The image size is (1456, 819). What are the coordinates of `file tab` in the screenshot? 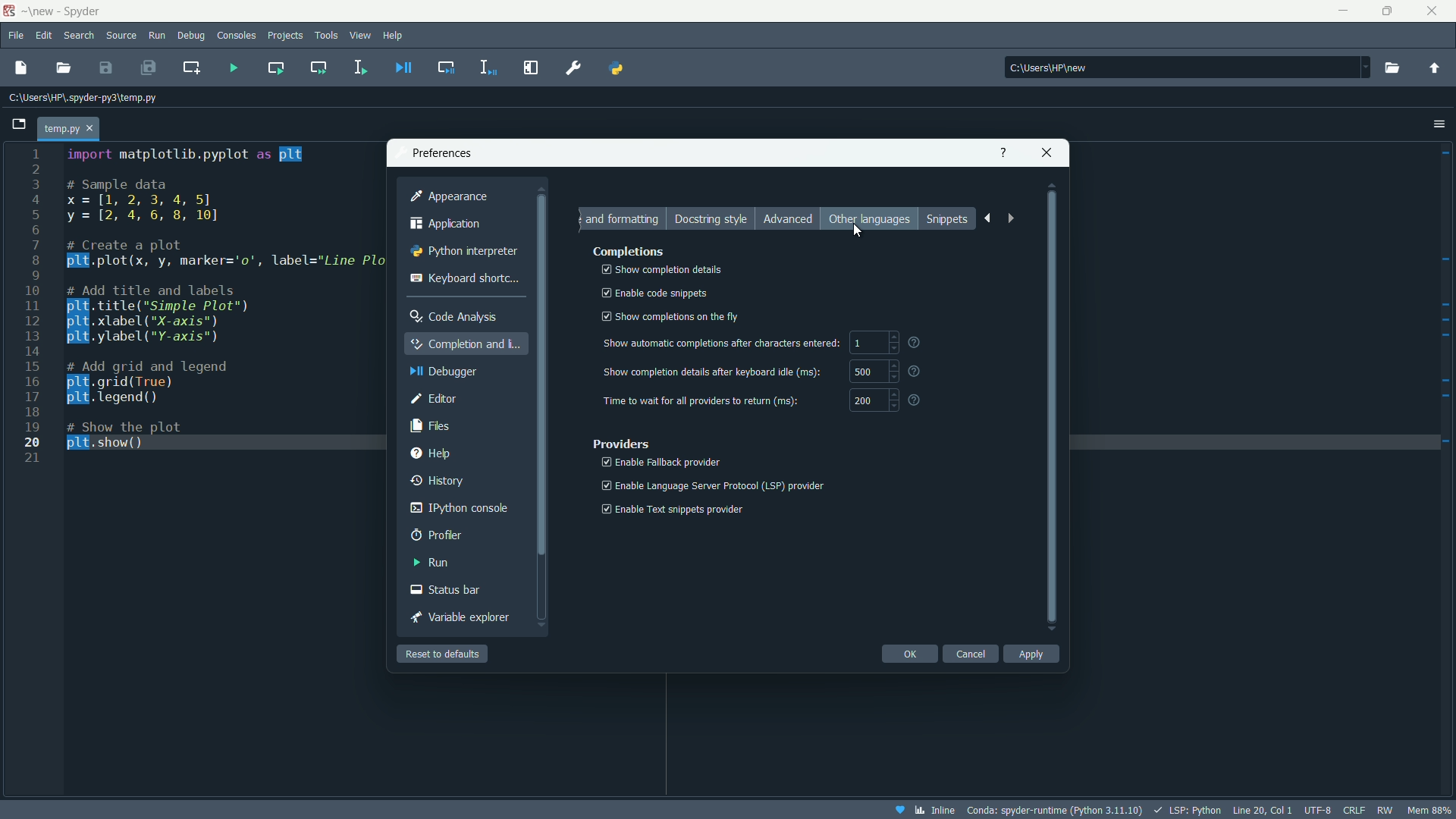 It's located at (69, 129).